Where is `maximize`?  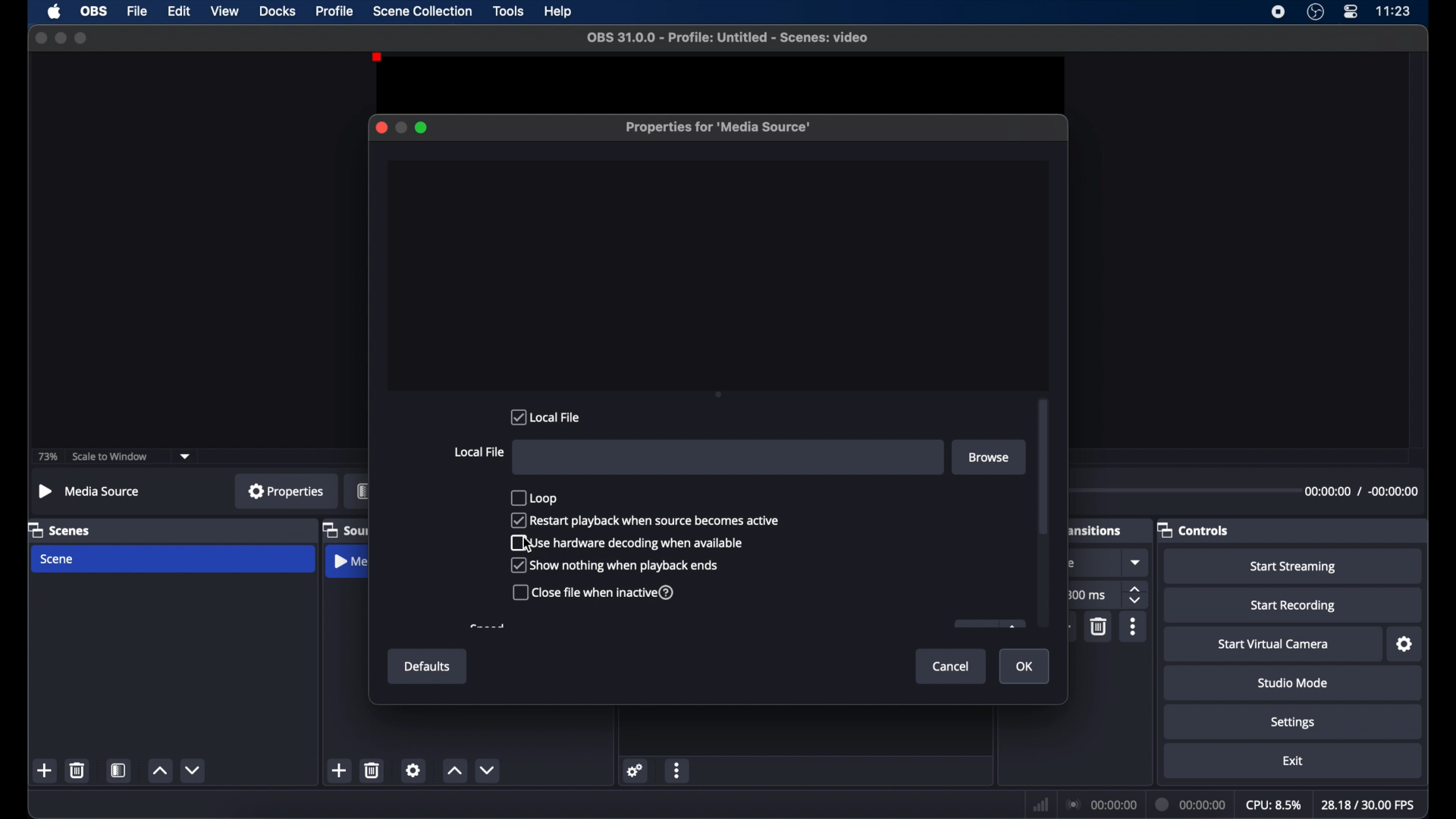 maximize is located at coordinates (82, 38).